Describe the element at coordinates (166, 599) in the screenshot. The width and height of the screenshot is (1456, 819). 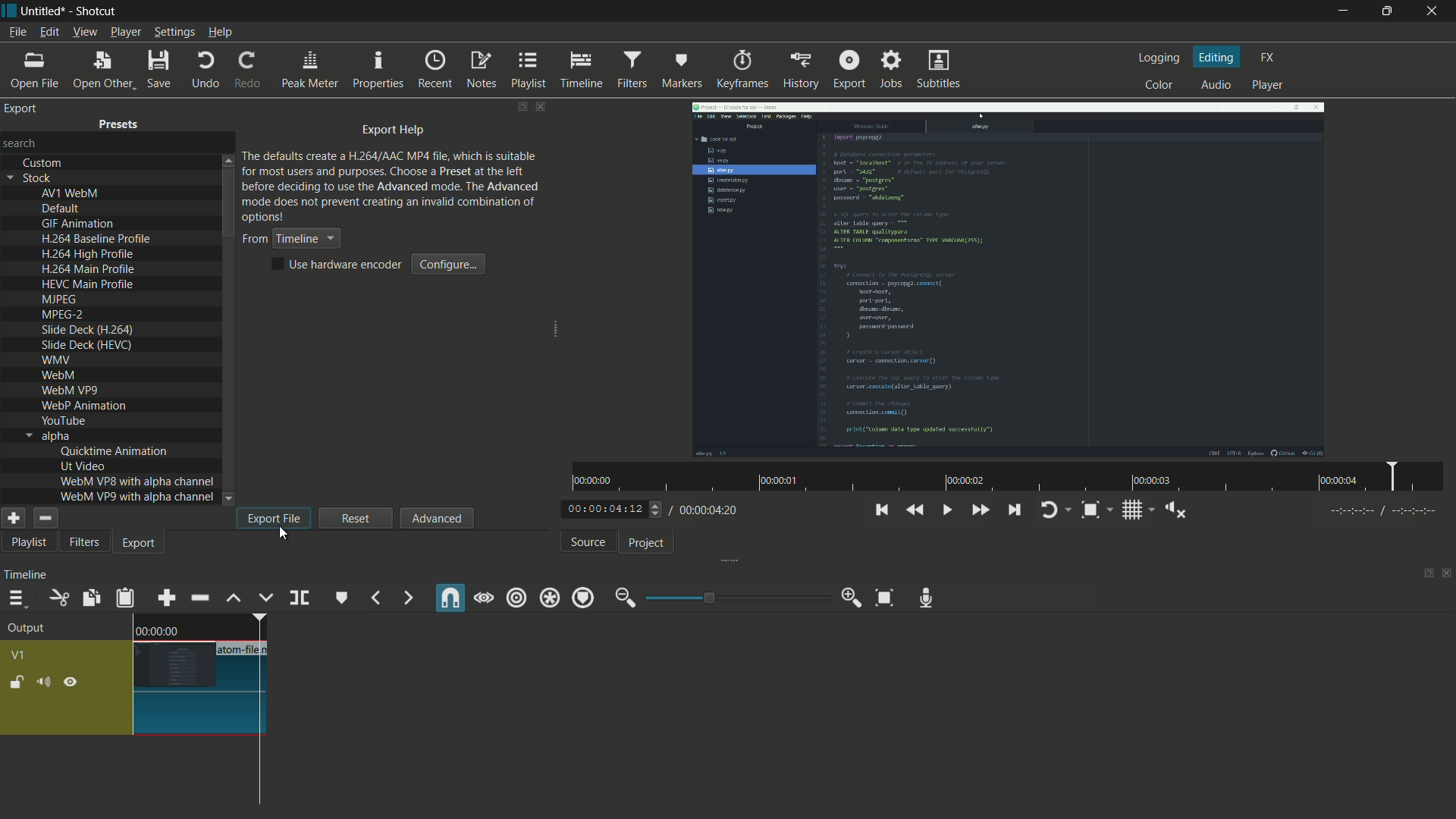
I see `append` at that location.